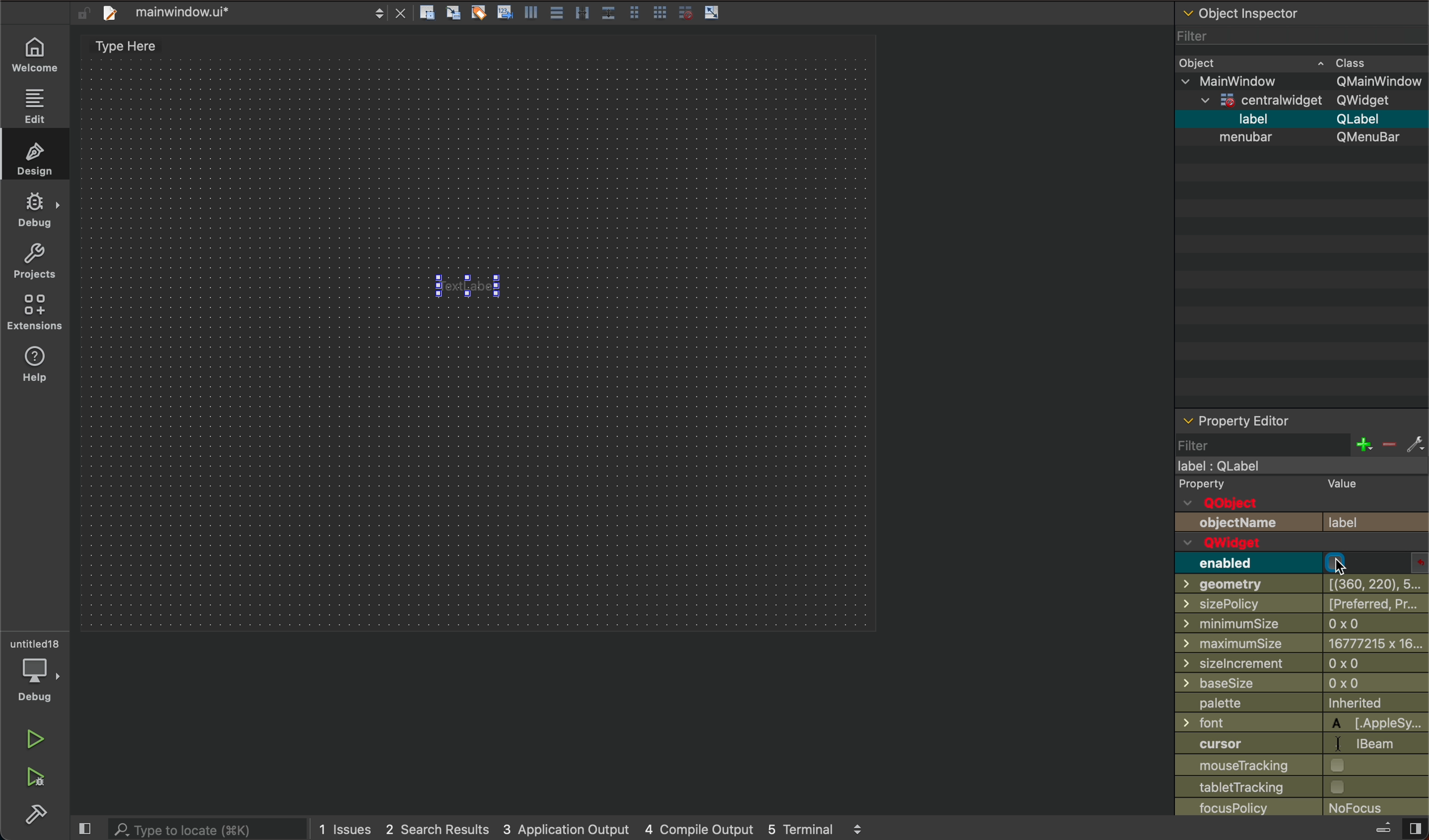  What do you see at coordinates (36, 52) in the screenshot?
I see `wecome` at bounding box center [36, 52].